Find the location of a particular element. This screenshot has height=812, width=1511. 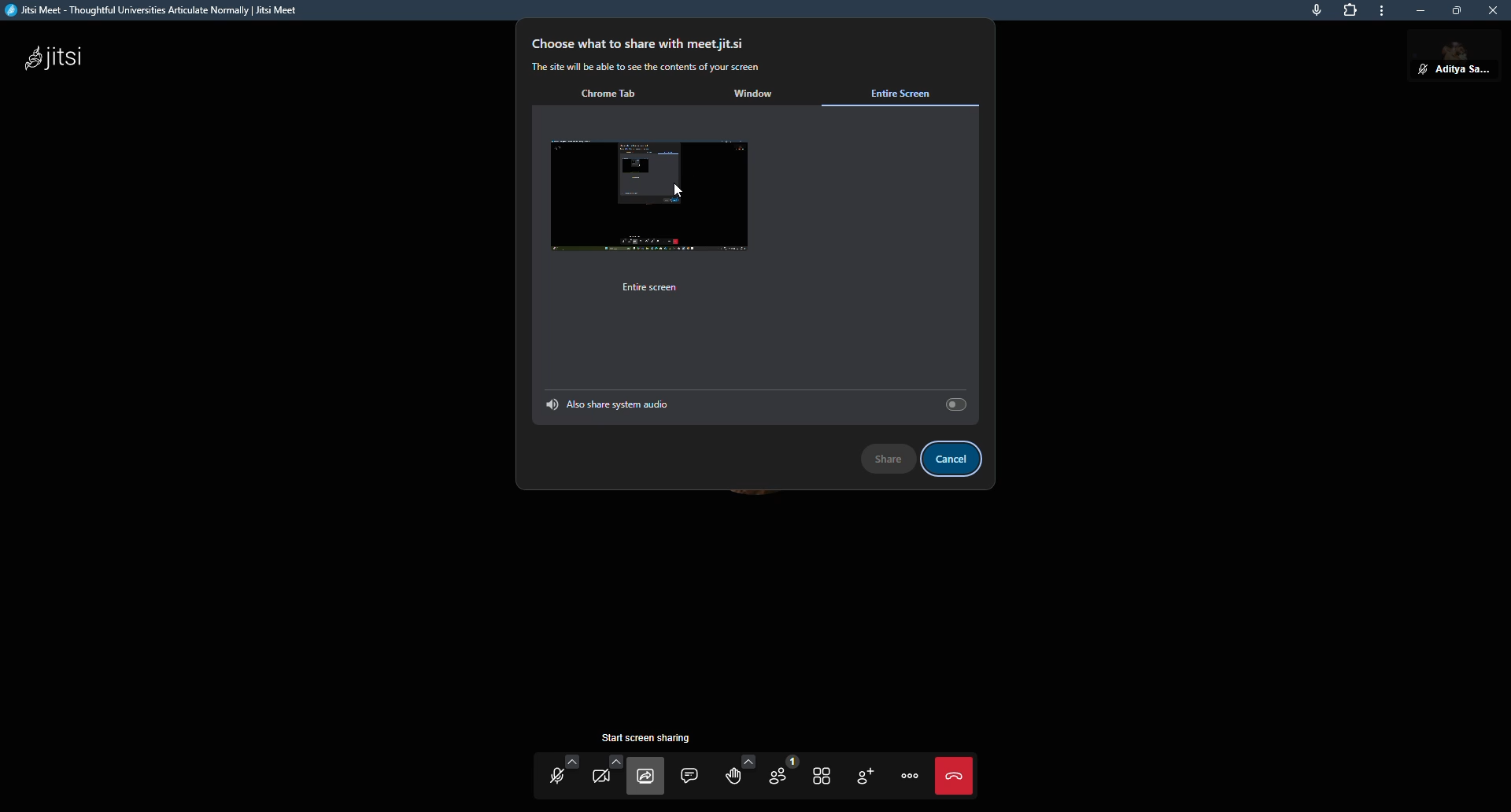

start mic is located at coordinates (559, 777).